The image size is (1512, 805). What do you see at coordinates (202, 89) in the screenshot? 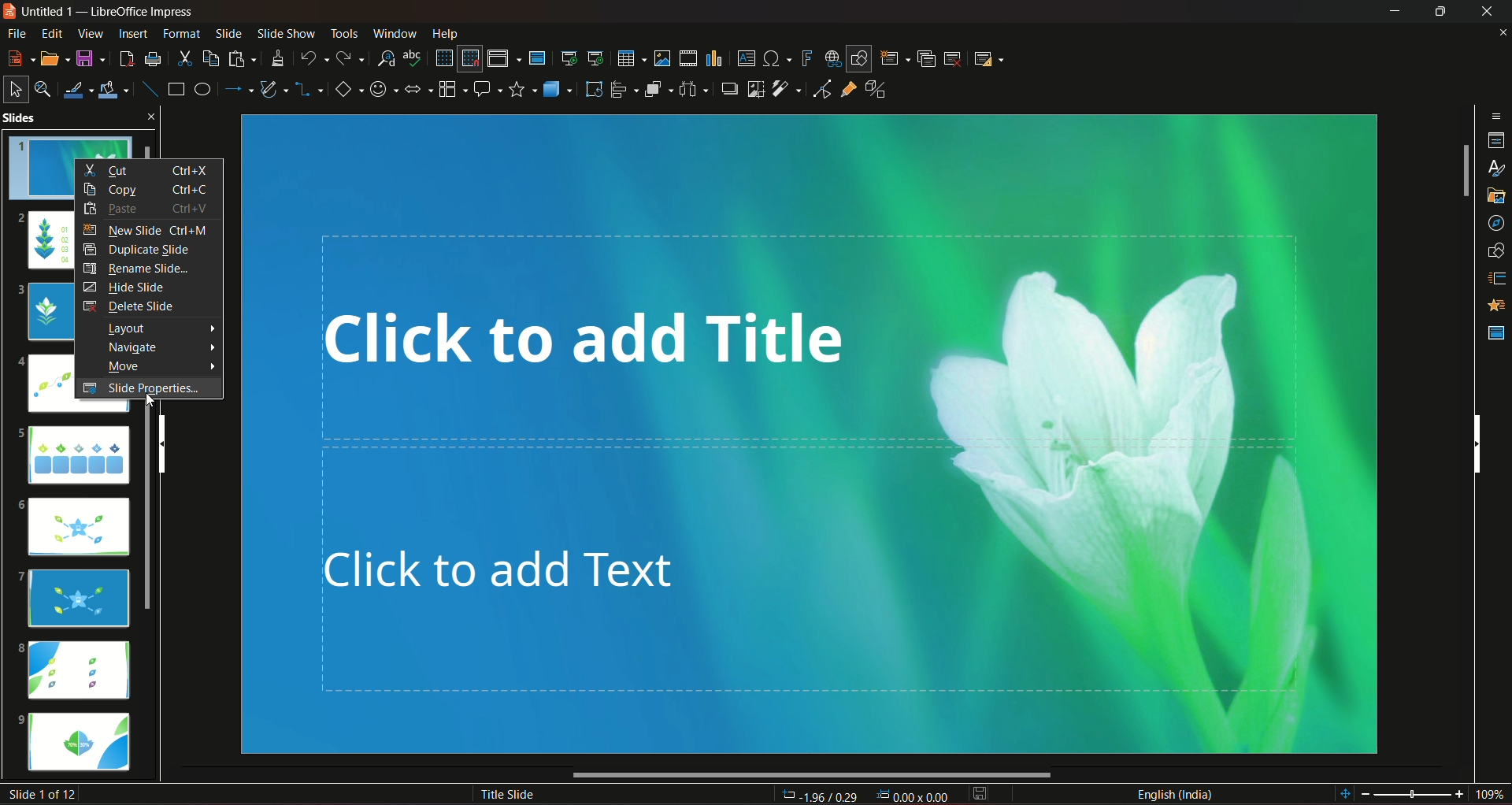
I see `ellipse` at bounding box center [202, 89].